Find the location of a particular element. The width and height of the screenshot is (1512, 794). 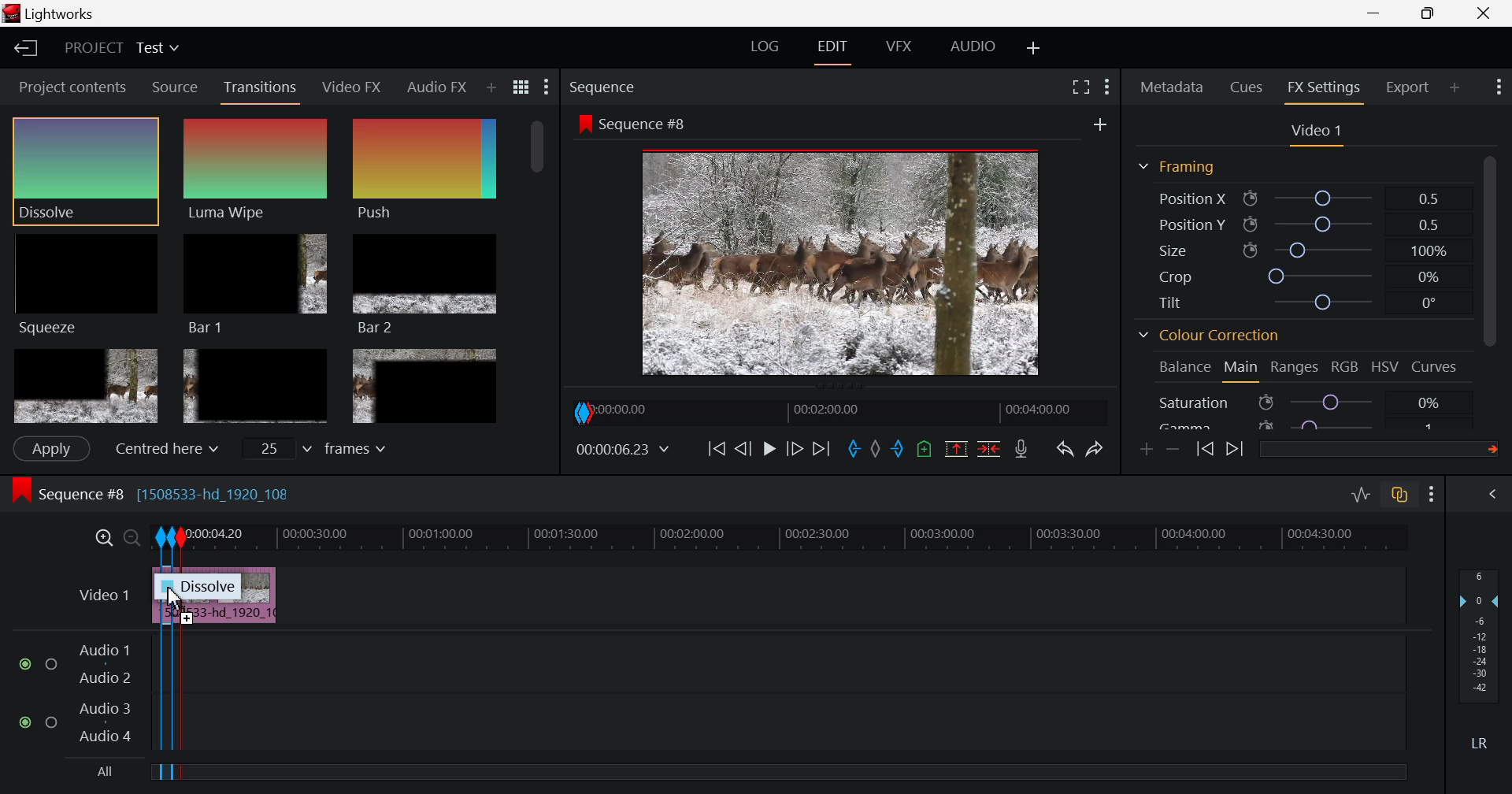

Show Settings is located at coordinates (548, 87).